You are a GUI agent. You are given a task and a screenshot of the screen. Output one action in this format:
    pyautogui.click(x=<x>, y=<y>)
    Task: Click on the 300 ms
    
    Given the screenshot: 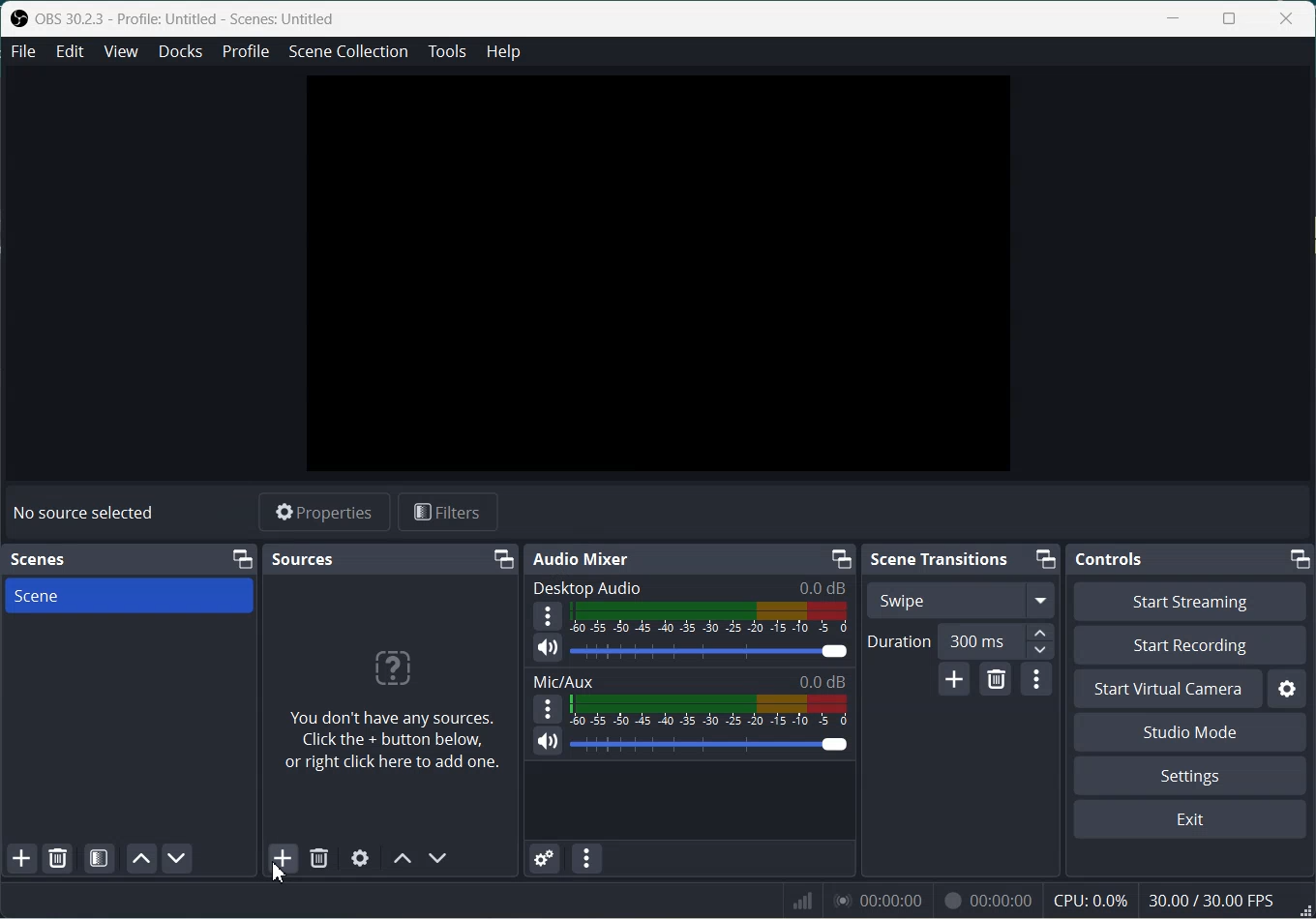 What is the action you would take?
    pyautogui.click(x=998, y=642)
    